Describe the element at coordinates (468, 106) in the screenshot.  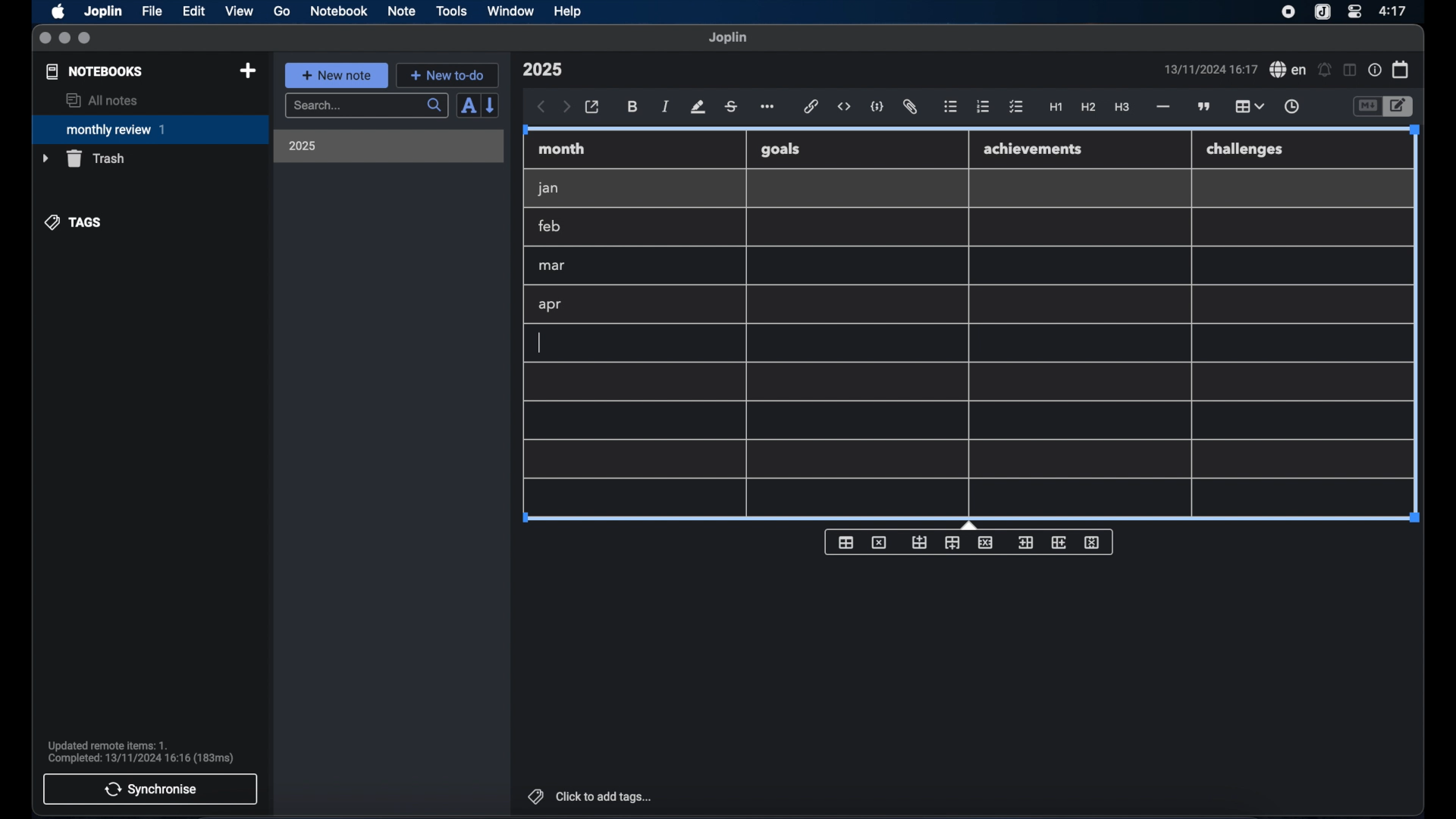
I see `sort order field` at that location.